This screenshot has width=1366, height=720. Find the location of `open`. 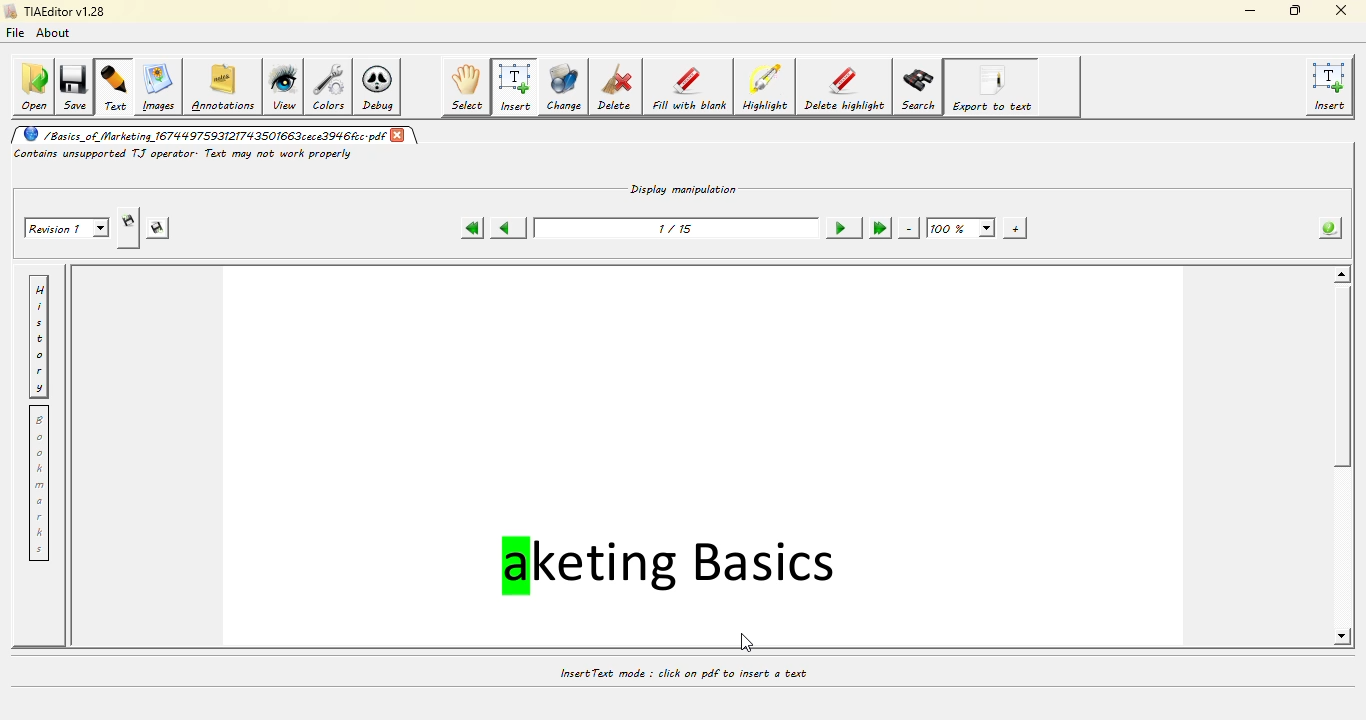

open is located at coordinates (33, 87).